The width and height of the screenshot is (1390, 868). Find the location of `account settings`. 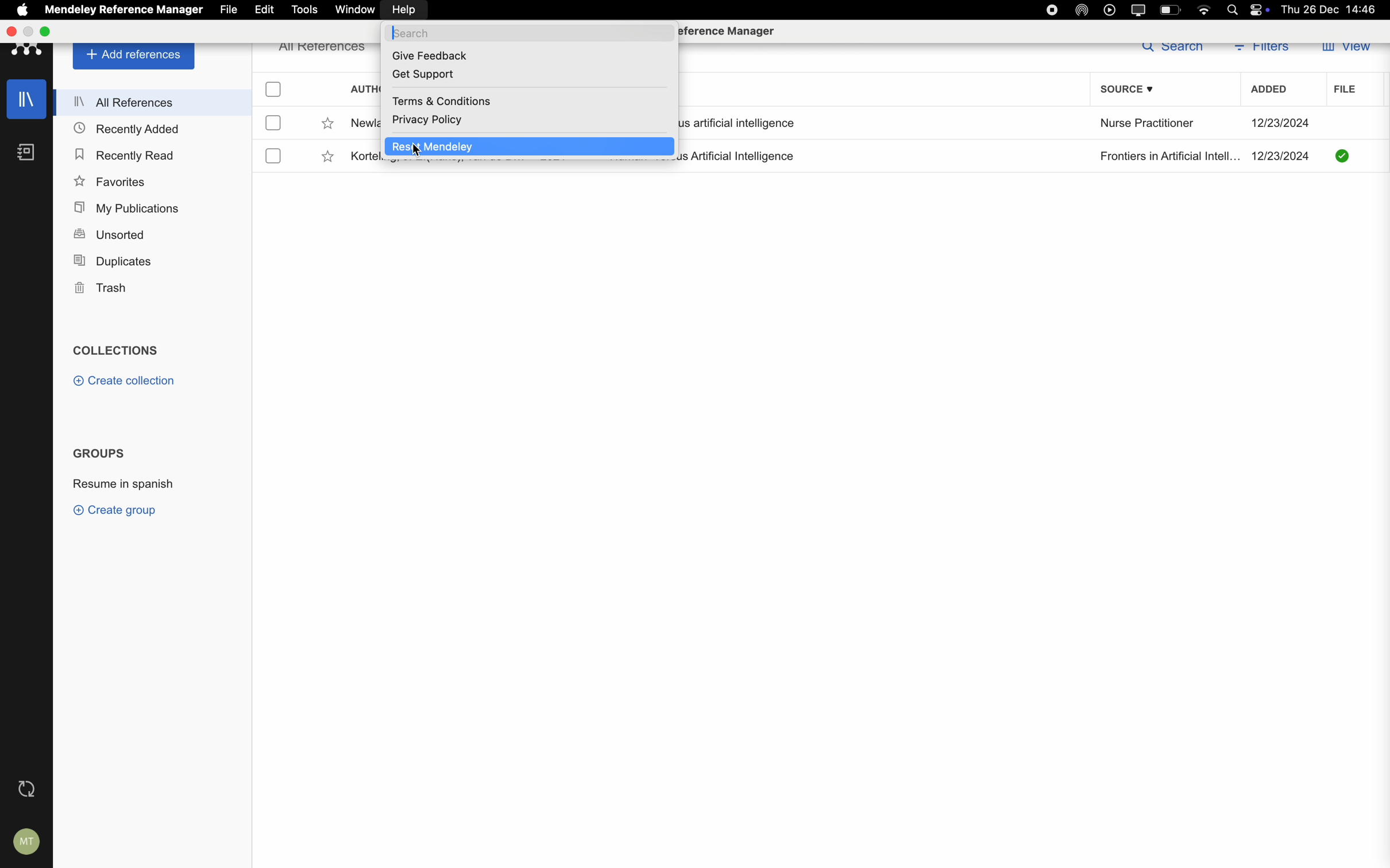

account settings is located at coordinates (29, 843).